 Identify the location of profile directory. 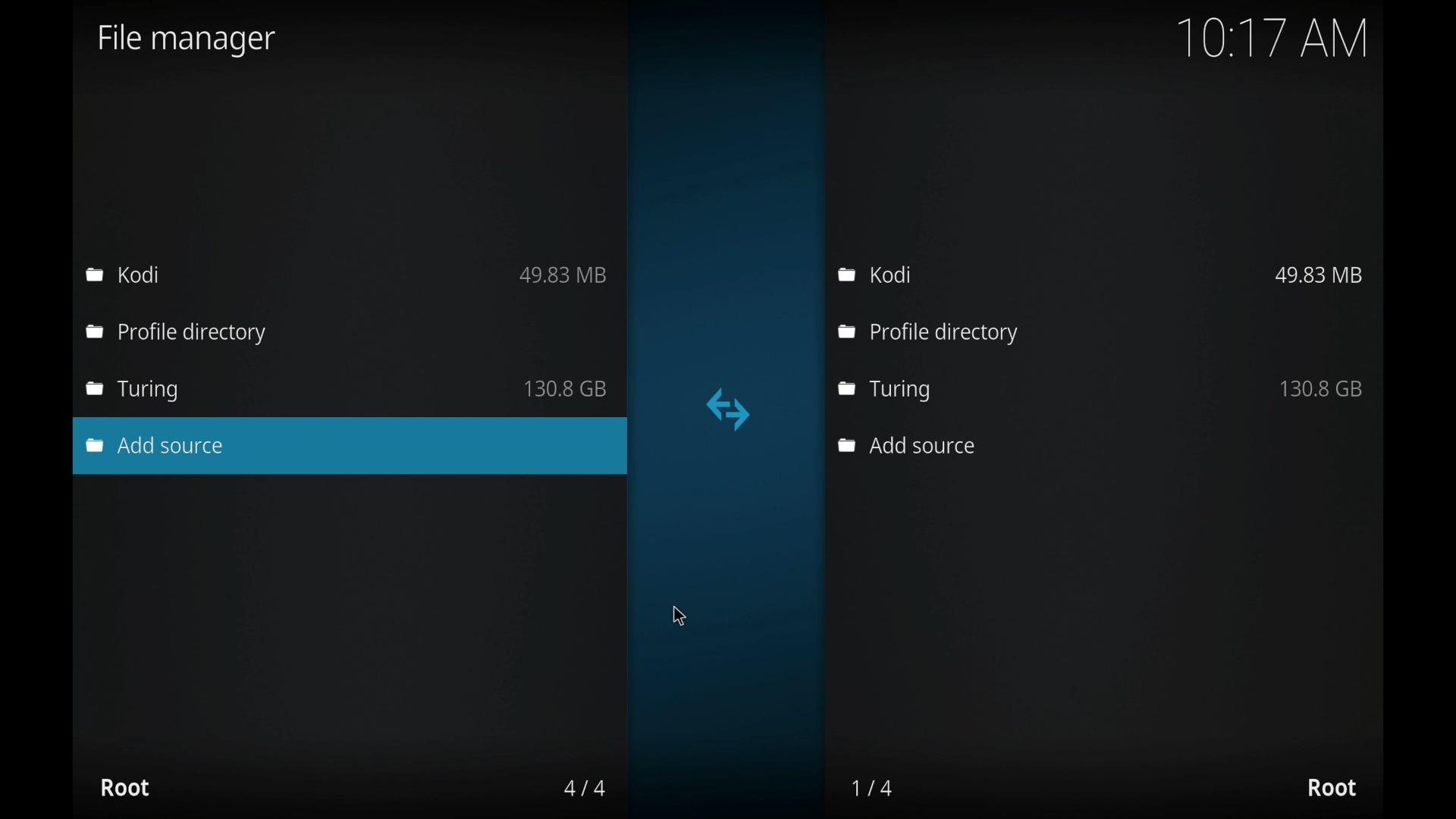
(928, 334).